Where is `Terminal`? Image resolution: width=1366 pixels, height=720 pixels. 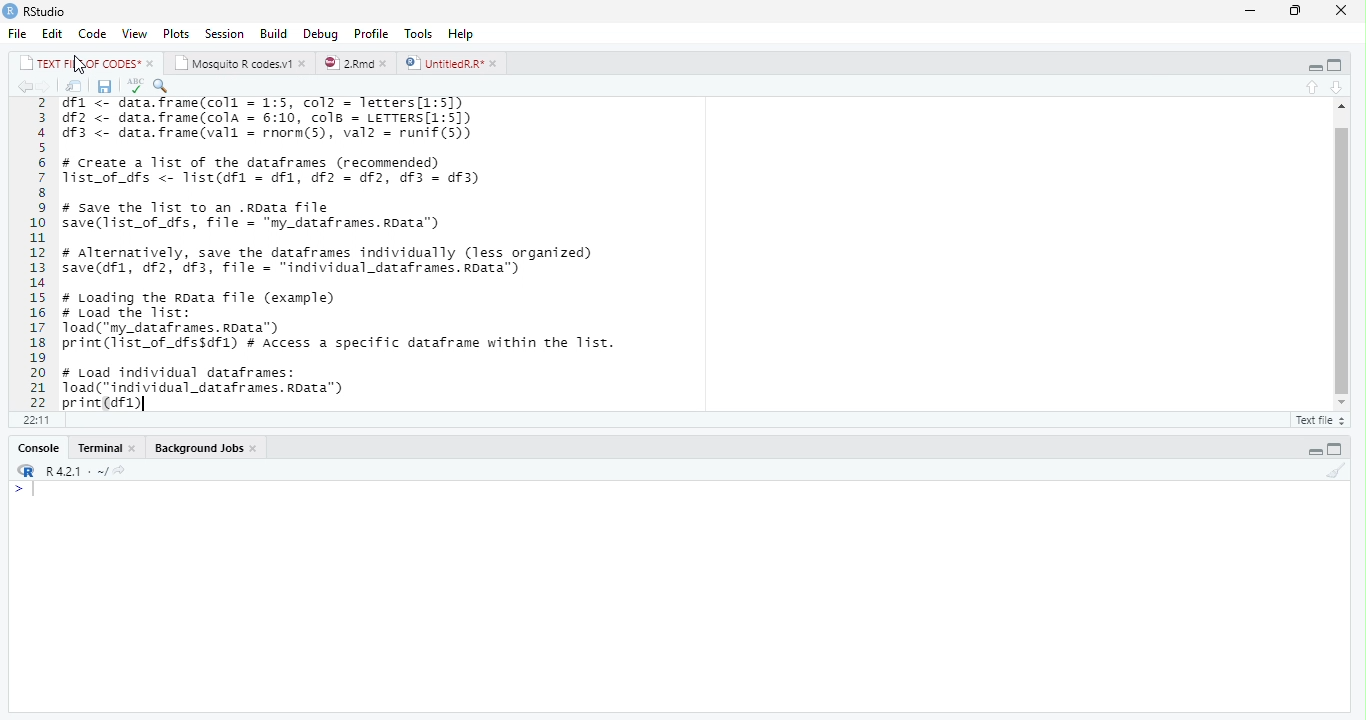 Terminal is located at coordinates (108, 448).